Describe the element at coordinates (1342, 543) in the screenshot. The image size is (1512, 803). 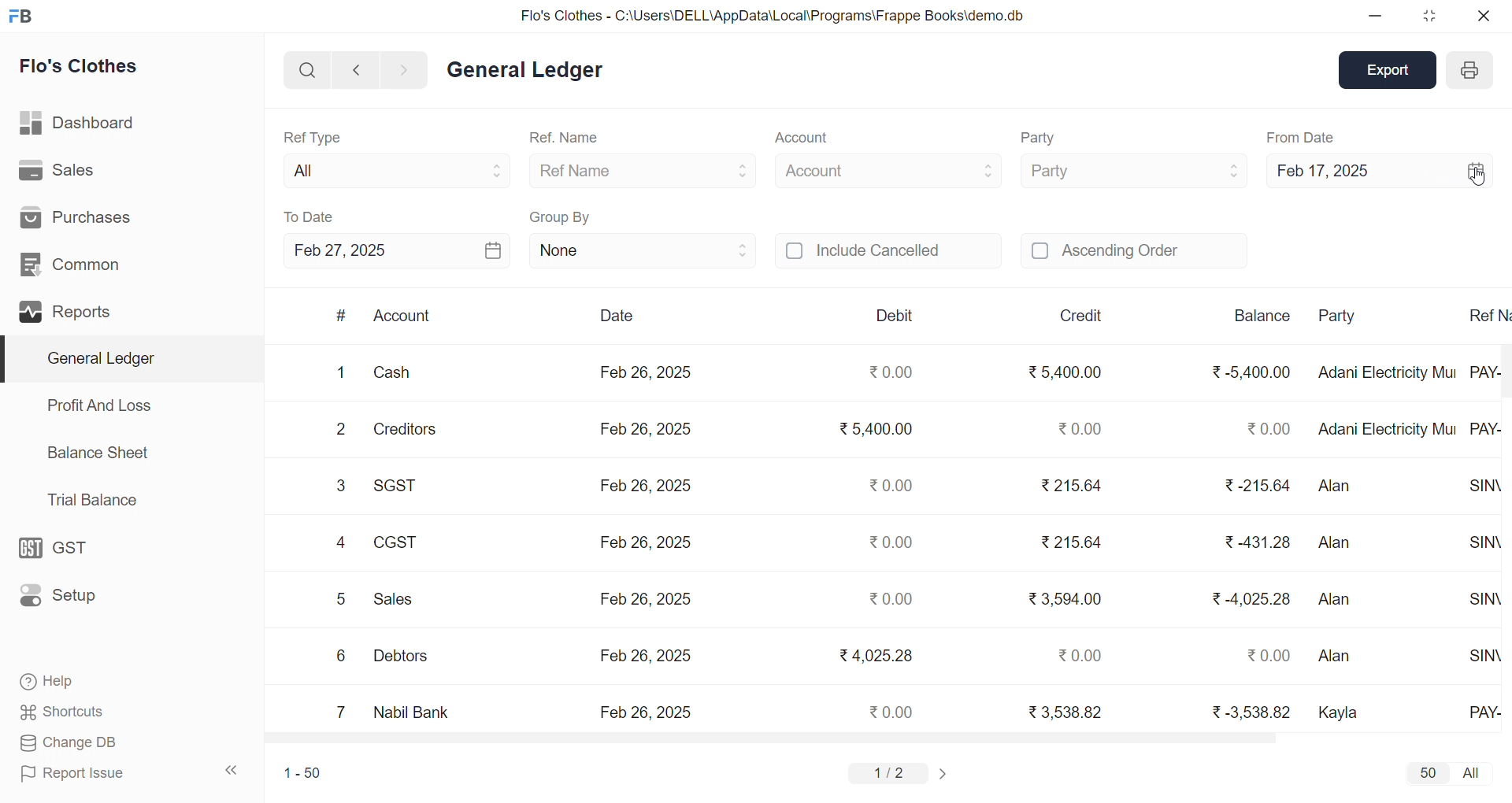
I see `Alan` at that location.